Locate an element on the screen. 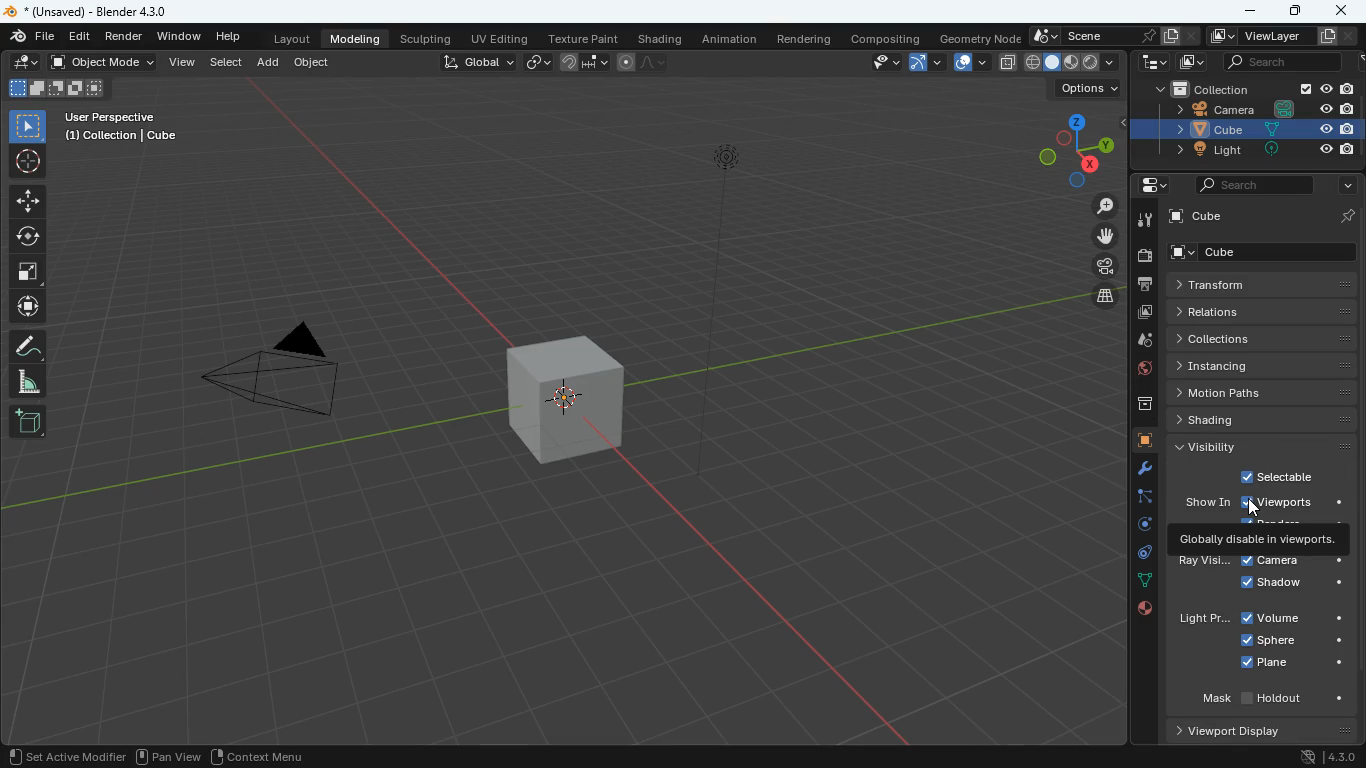 This screenshot has width=1366, height=768. image position is located at coordinates (55, 90).